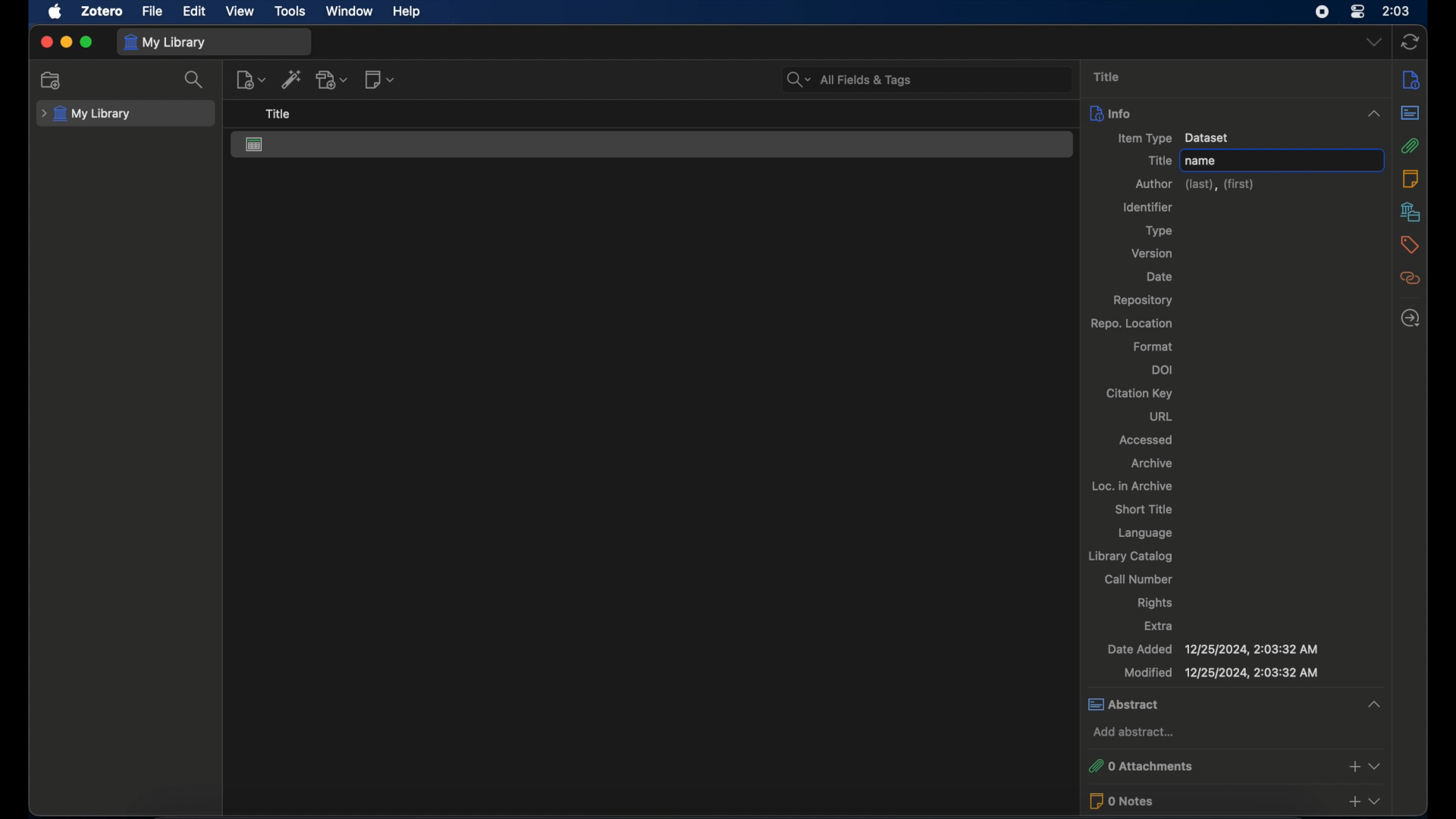  I want to click on author, so click(1194, 185).